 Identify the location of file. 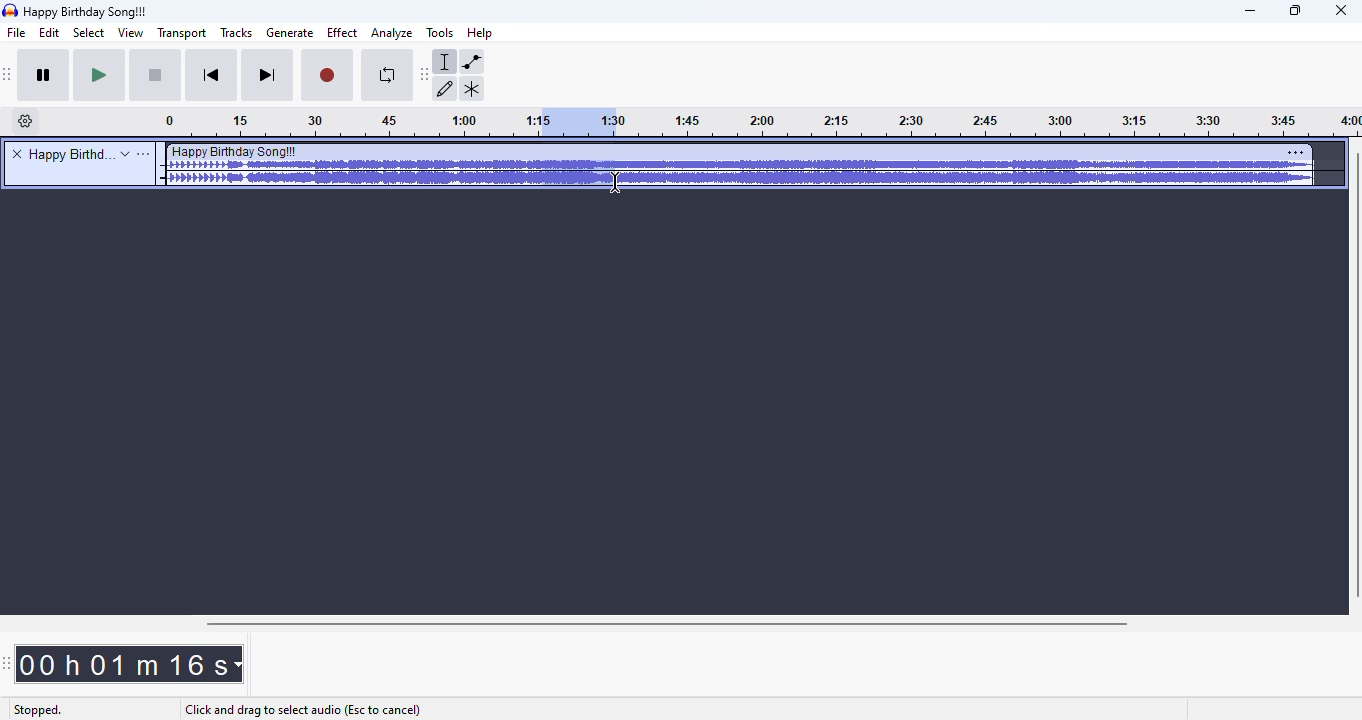
(17, 33).